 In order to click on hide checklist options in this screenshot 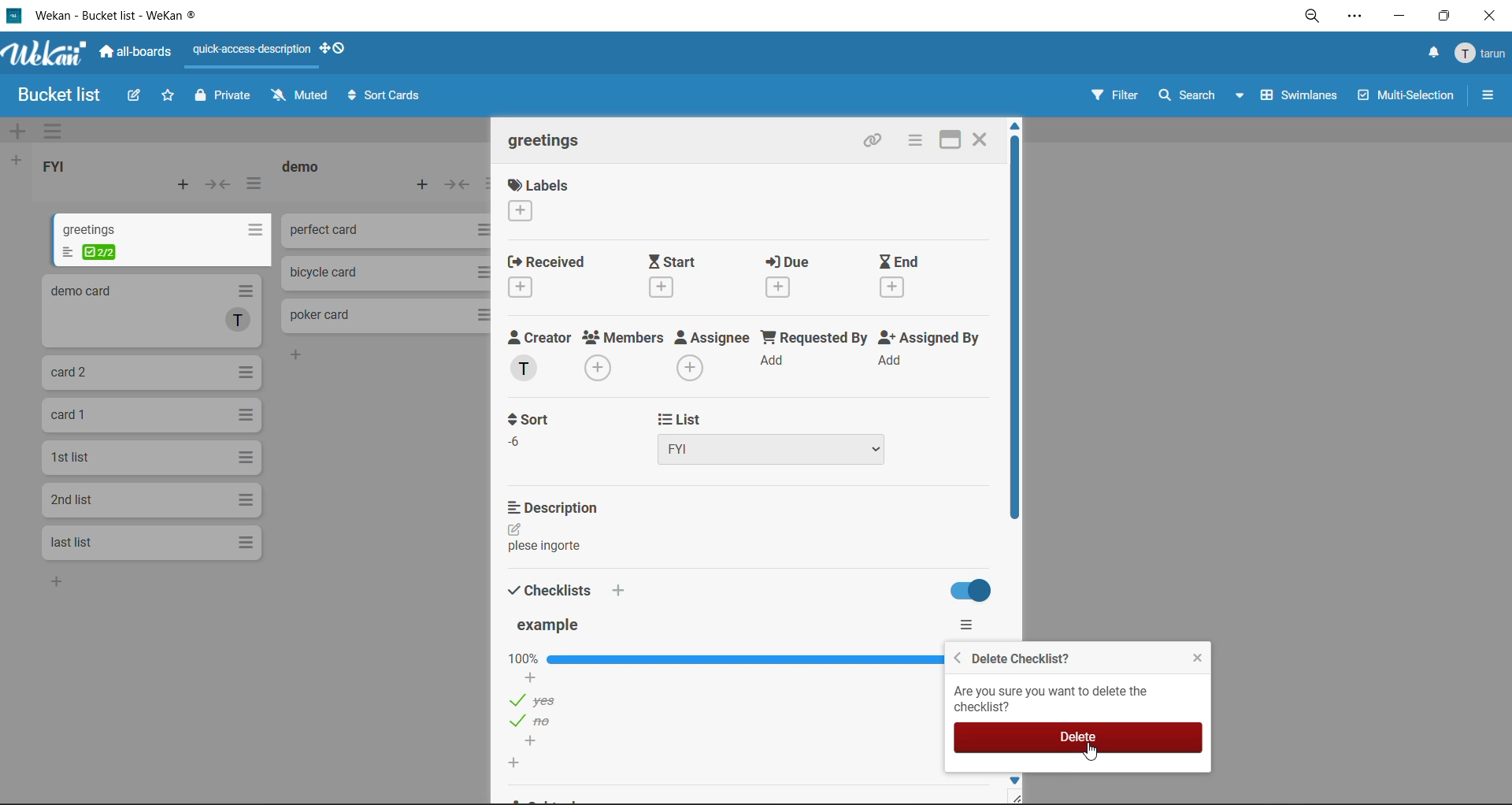, I will do `click(965, 592)`.